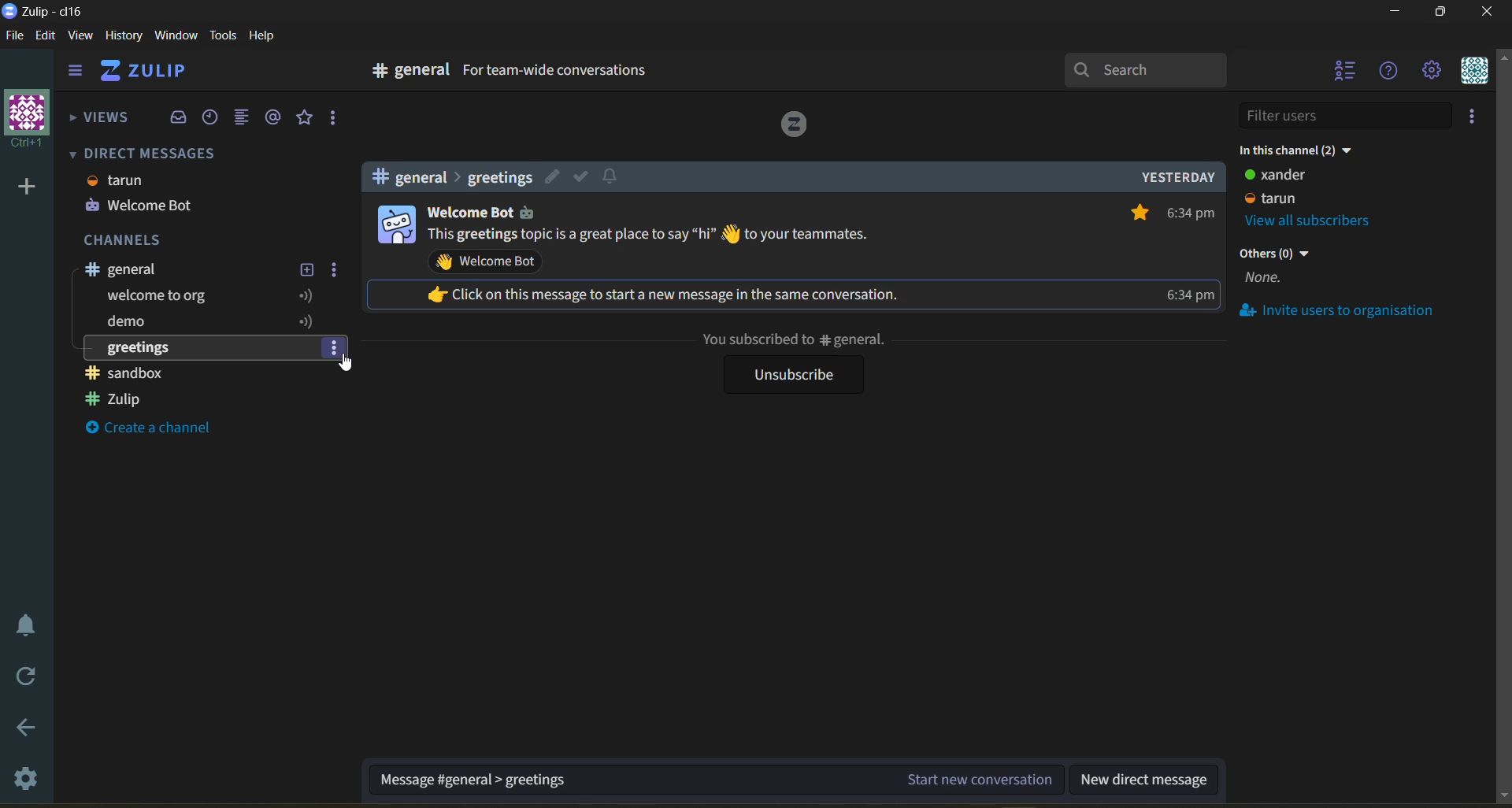 The image size is (1512, 808). I want to click on mark, so click(580, 176).